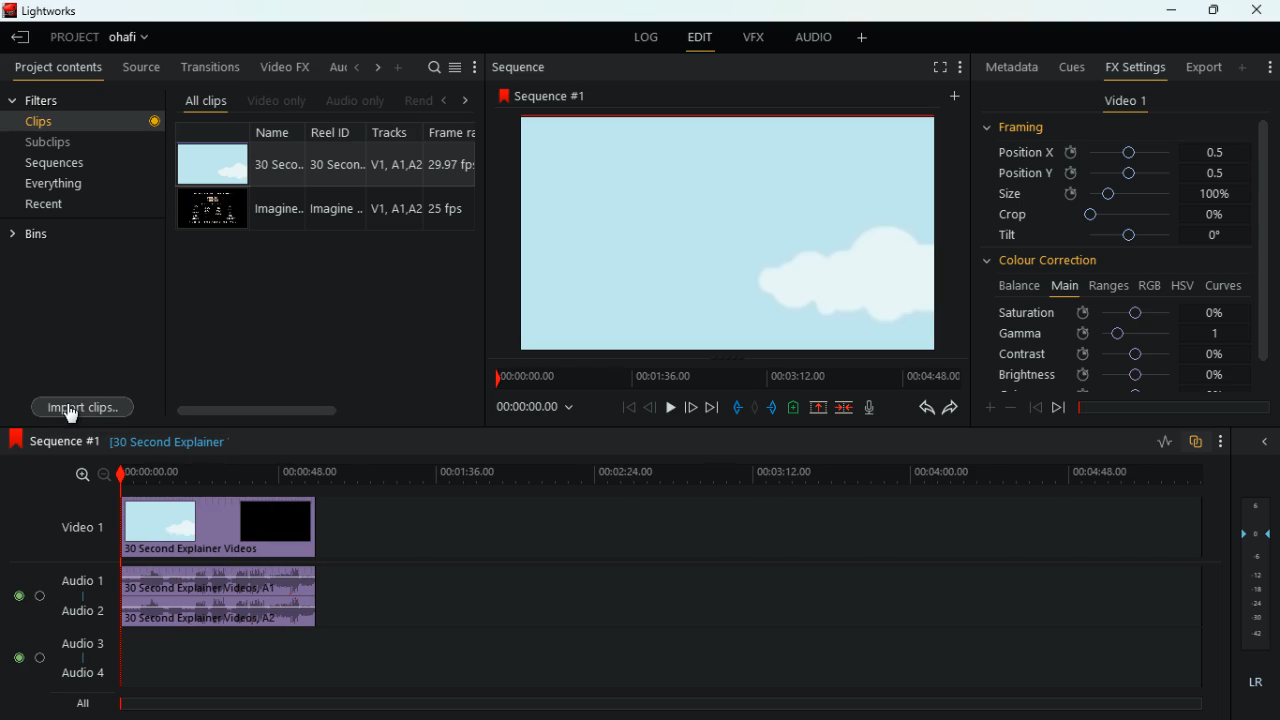 This screenshot has height=720, width=1280. I want to click on sequence, so click(518, 67).